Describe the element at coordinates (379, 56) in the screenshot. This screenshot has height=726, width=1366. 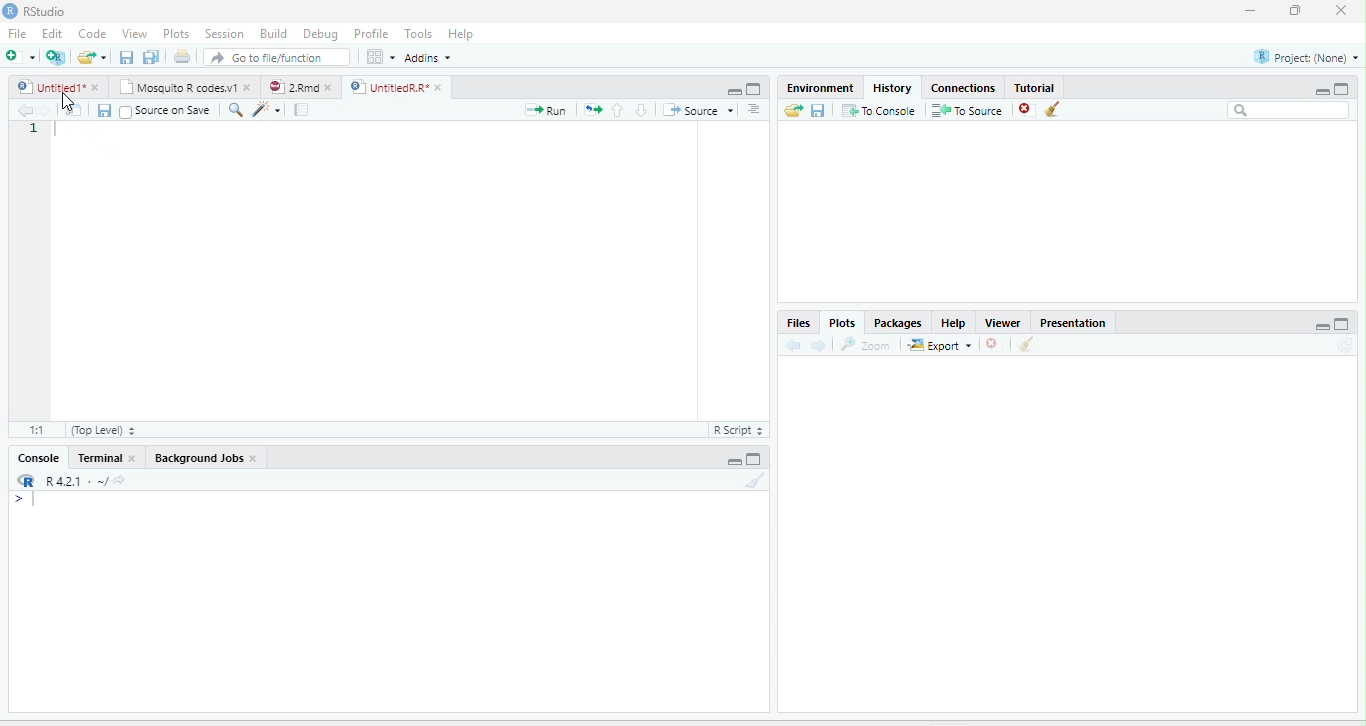
I see `Workspace panes` at that location.